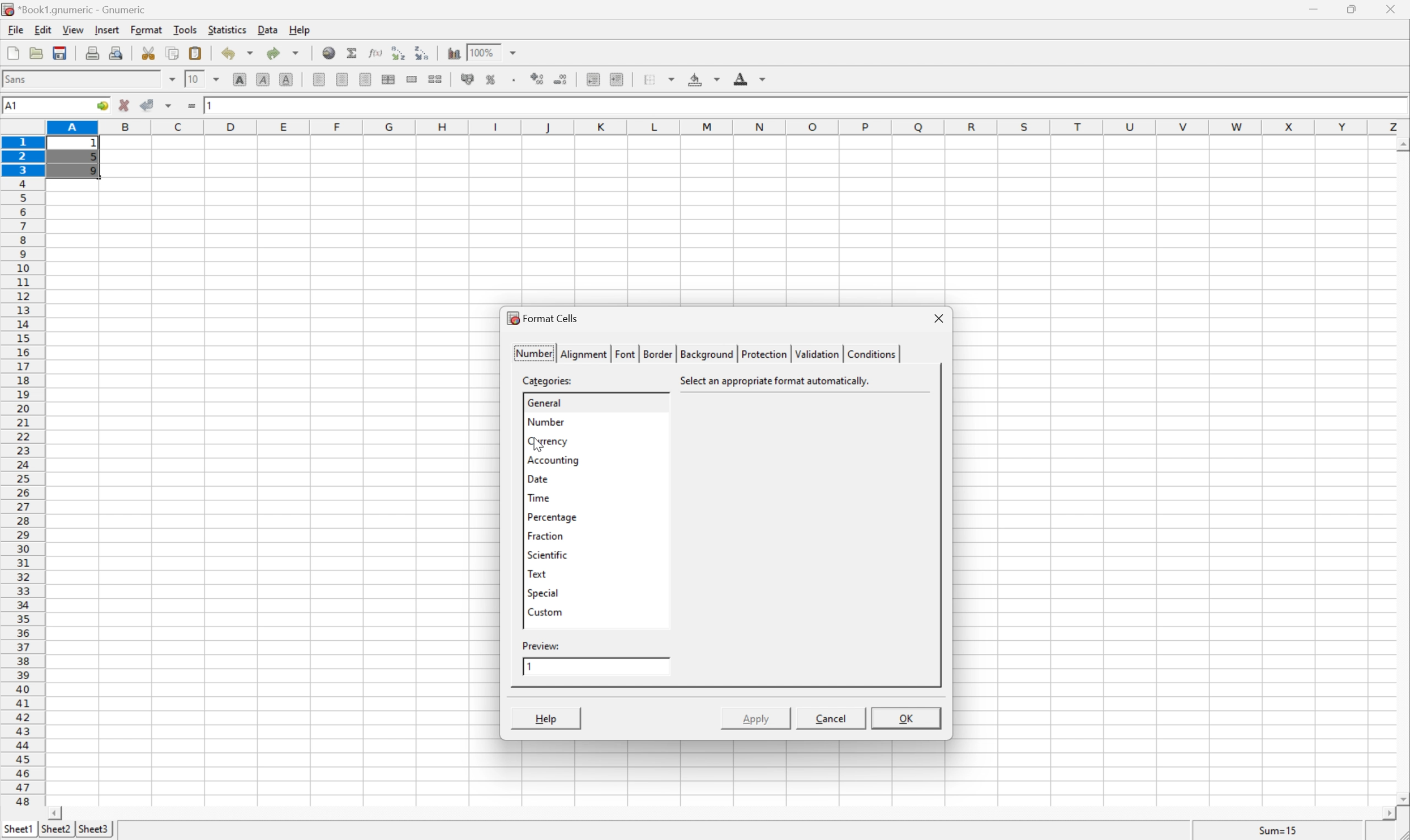 The width and height of the screenshot is (1410, 840). Describe the element at coordinates (172, 53) in the screenshot. I see `copy` at that location.